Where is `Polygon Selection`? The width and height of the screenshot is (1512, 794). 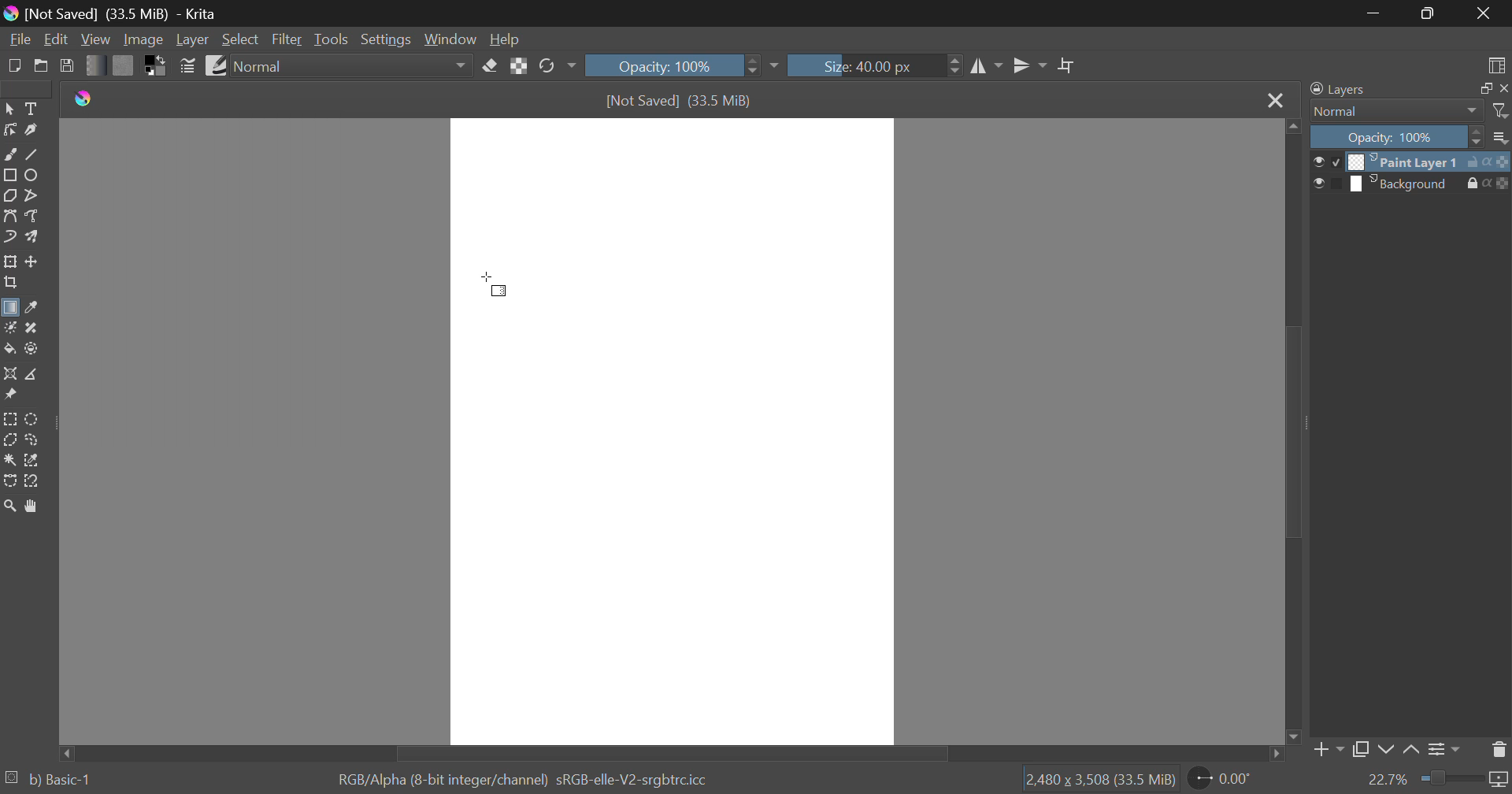 Polygon Selection is located at coordinates (9, 441).